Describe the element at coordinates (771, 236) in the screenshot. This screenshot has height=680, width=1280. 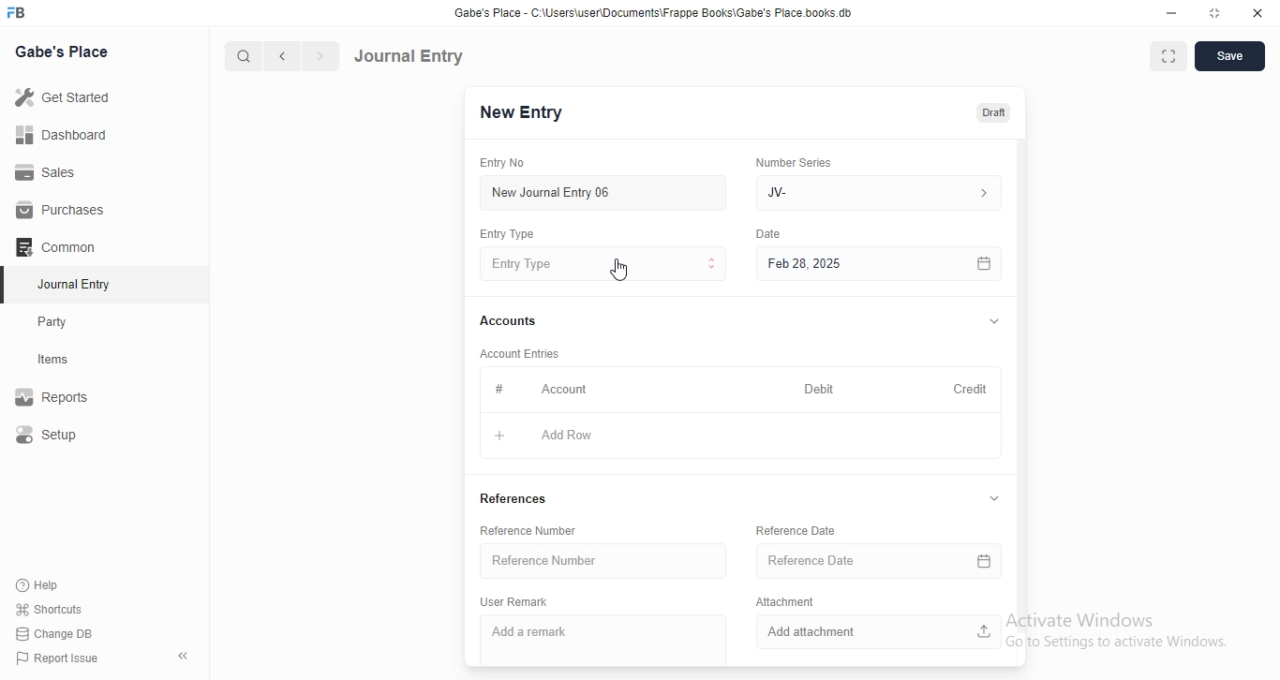
I see `` at that location.